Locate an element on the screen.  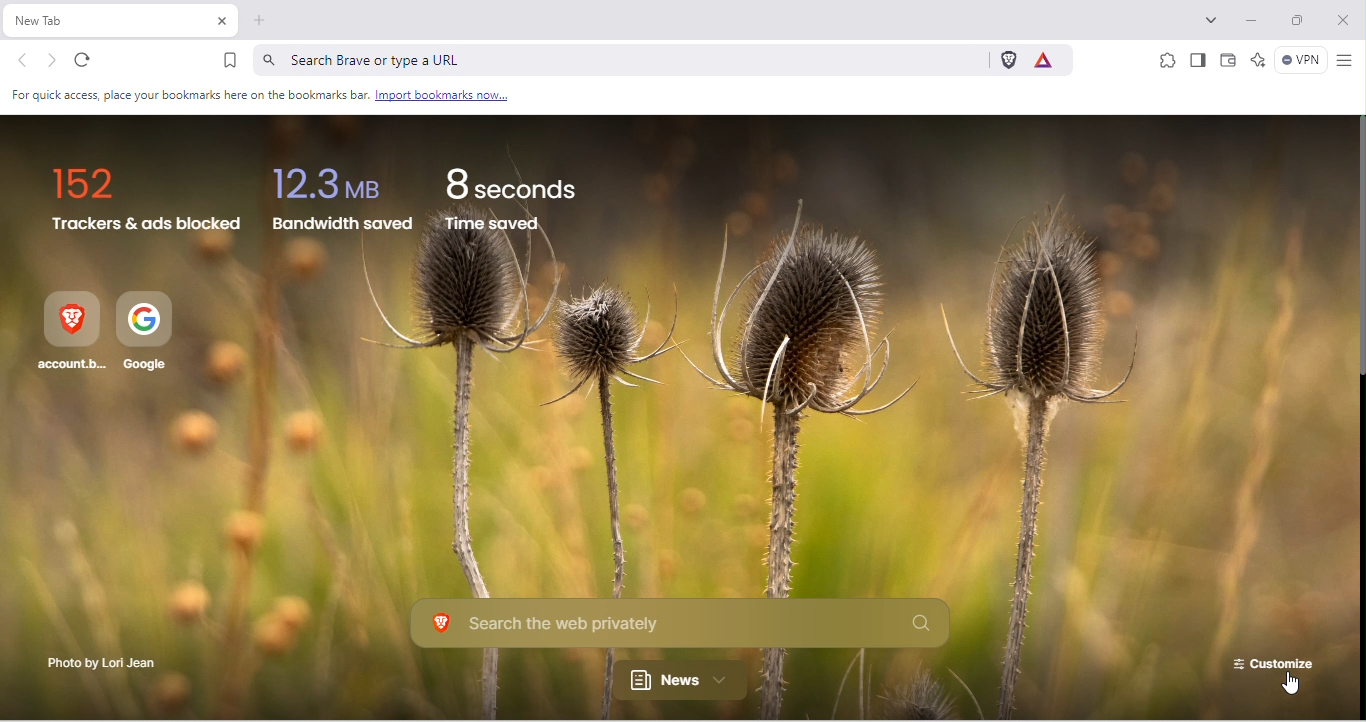
Extensions is located at coordinates (1166, 59).